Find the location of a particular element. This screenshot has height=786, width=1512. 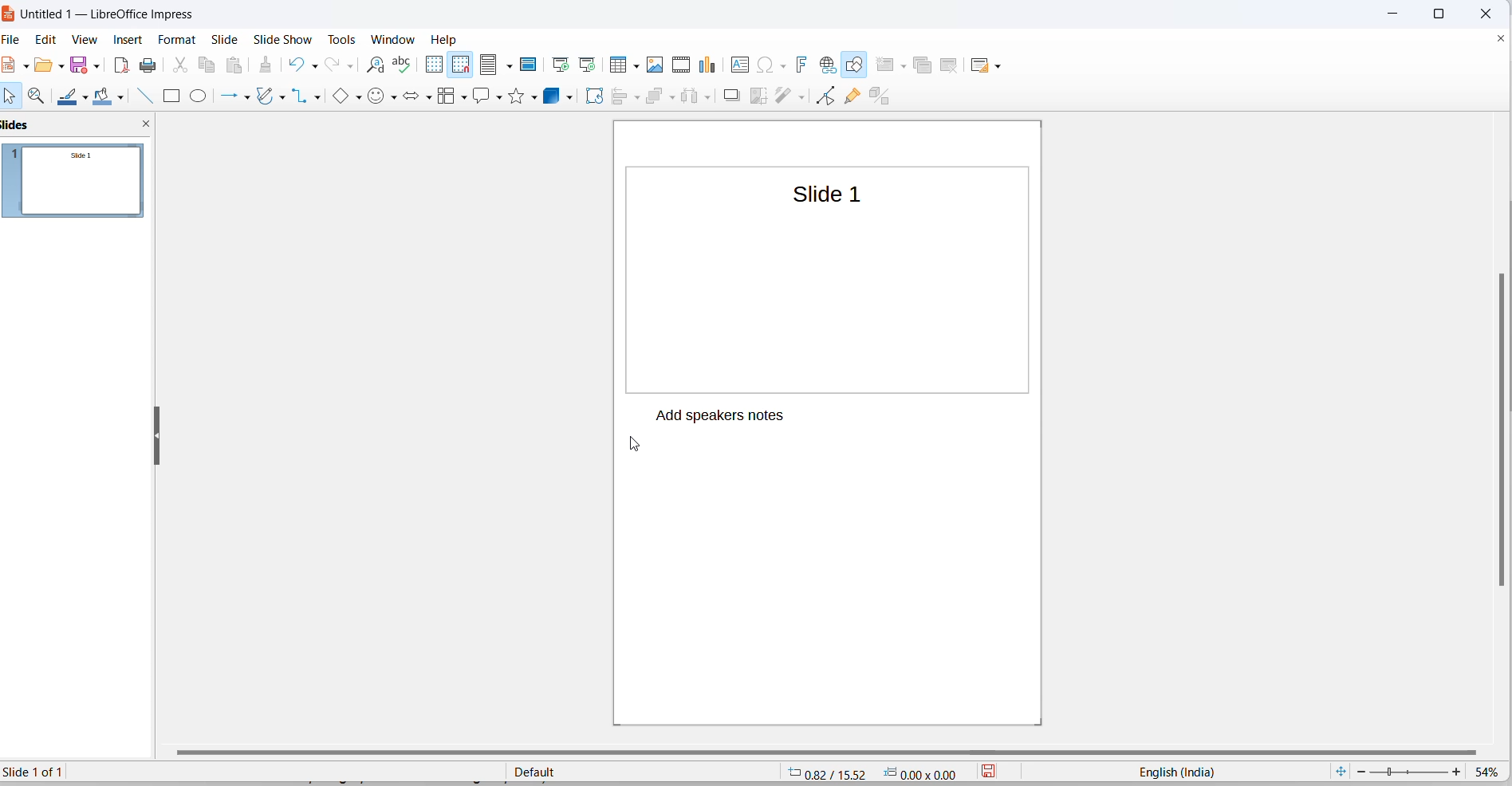

new slide options is located at coordinates (902, 65).